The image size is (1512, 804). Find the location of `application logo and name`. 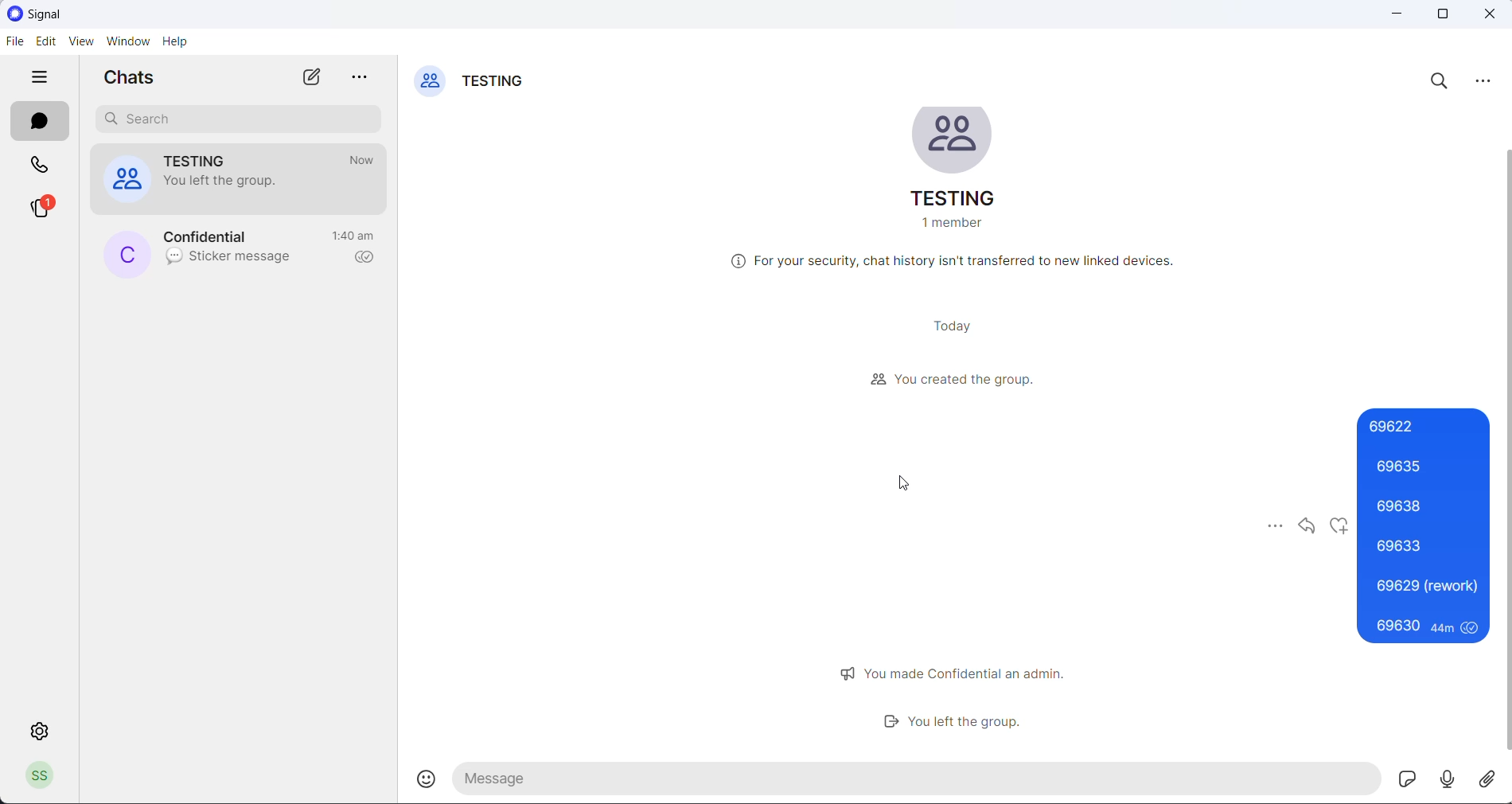

application logo and name is located at coordinates (64, 14).